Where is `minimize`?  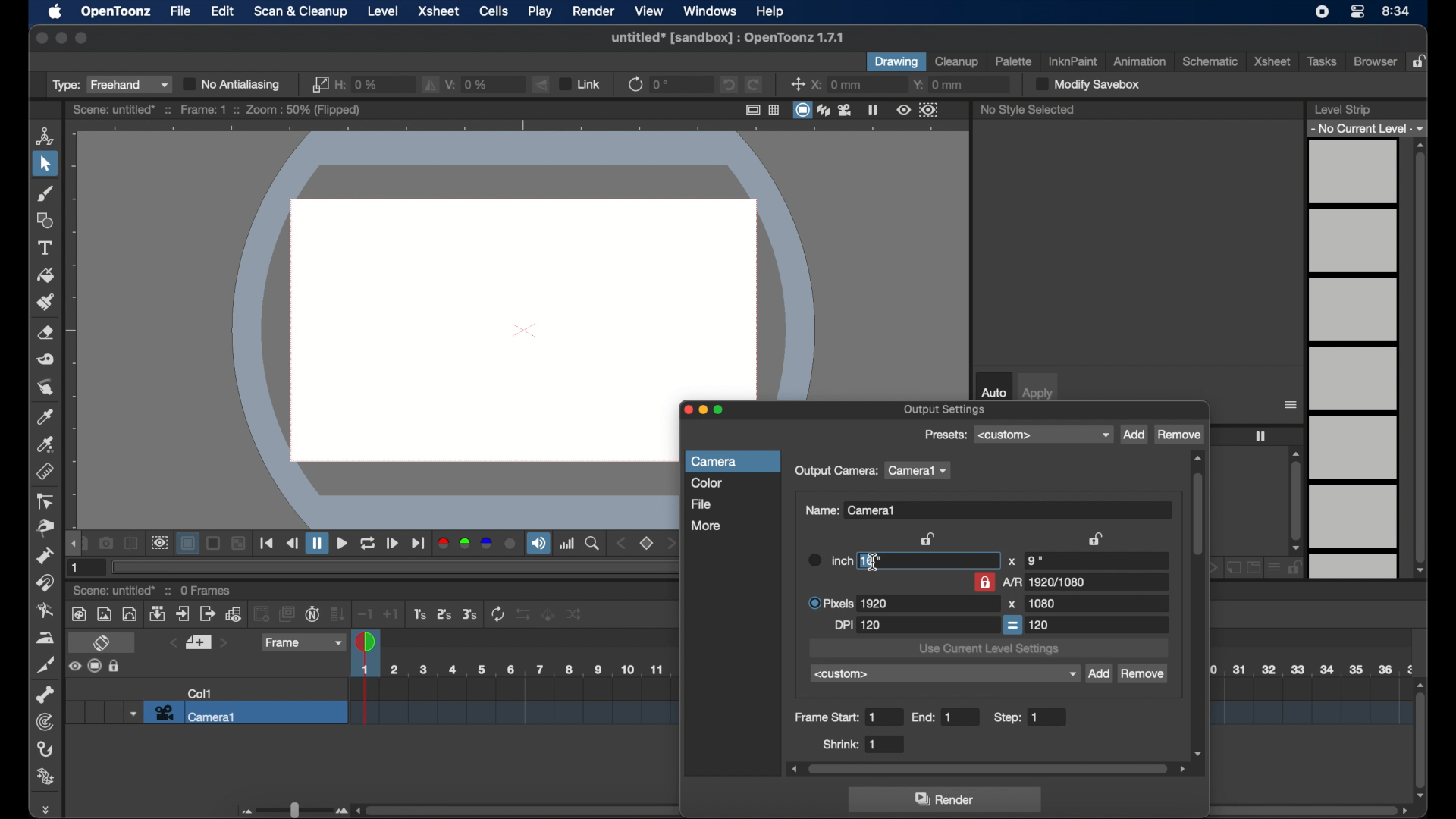
minimize is located at coordinates (60, 38).